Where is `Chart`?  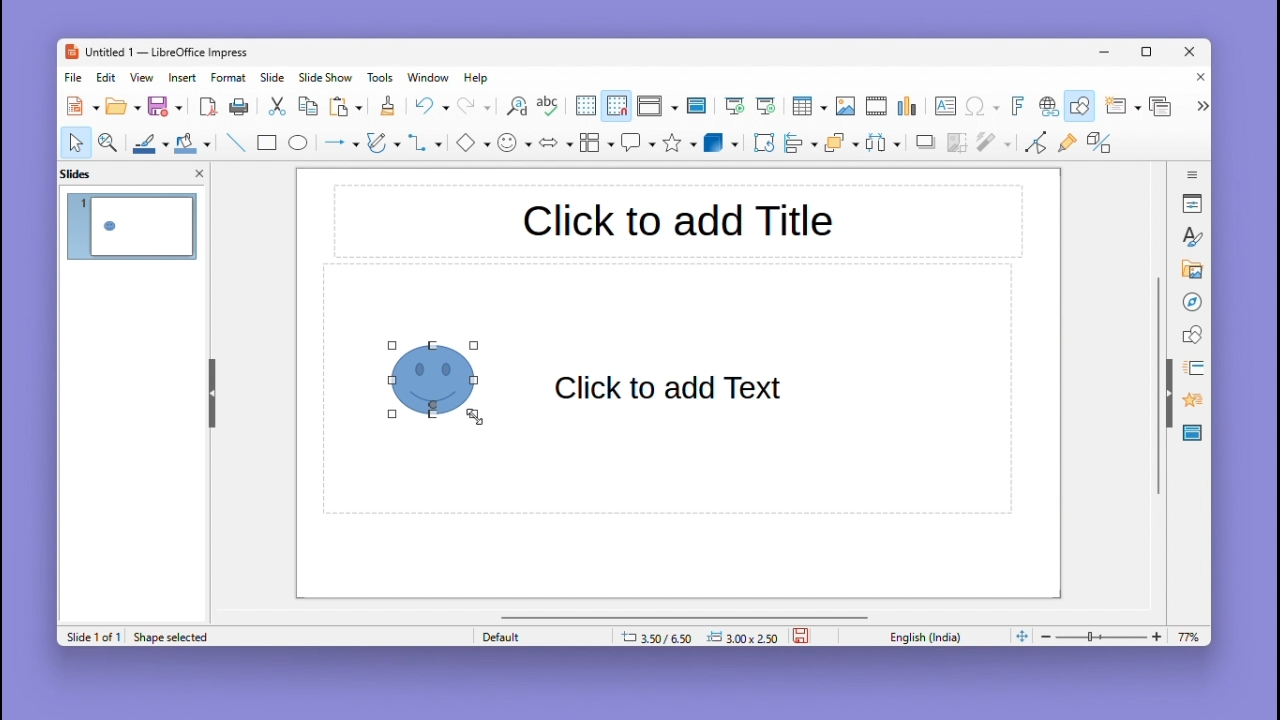 Chart is located at coordinates (909, 107).